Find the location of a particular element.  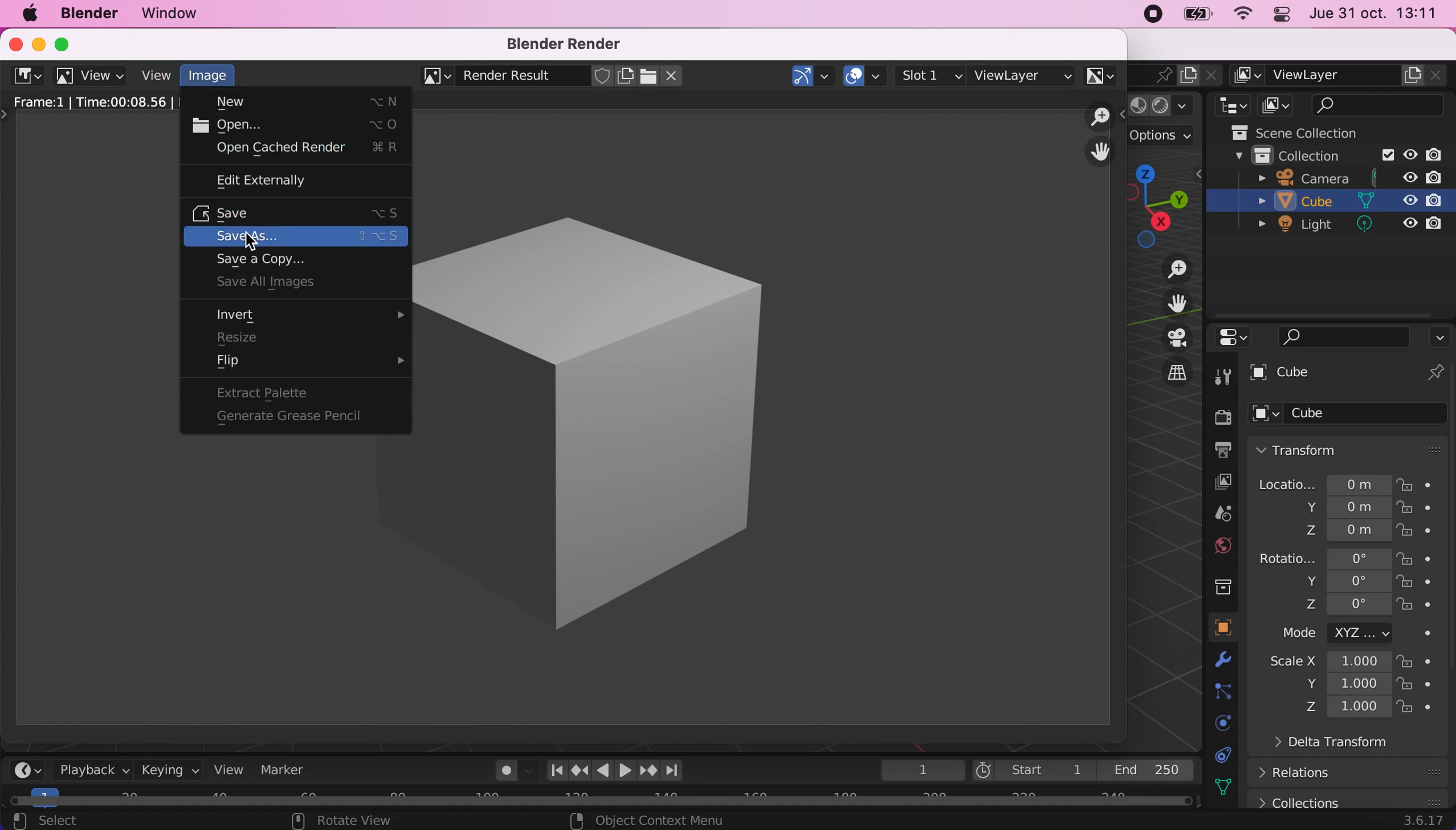

fake user is located at coordinates (602, 76).